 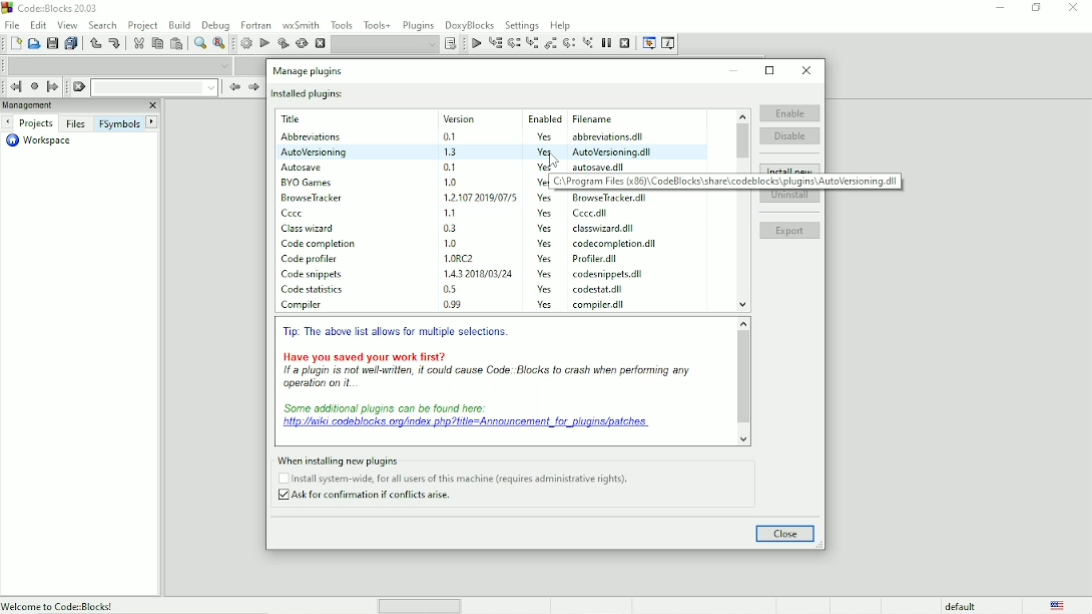 What do you see at coordinates (308, 137) in the screenshot?
I see `Abbreviations` at bounding box center [308, 137].